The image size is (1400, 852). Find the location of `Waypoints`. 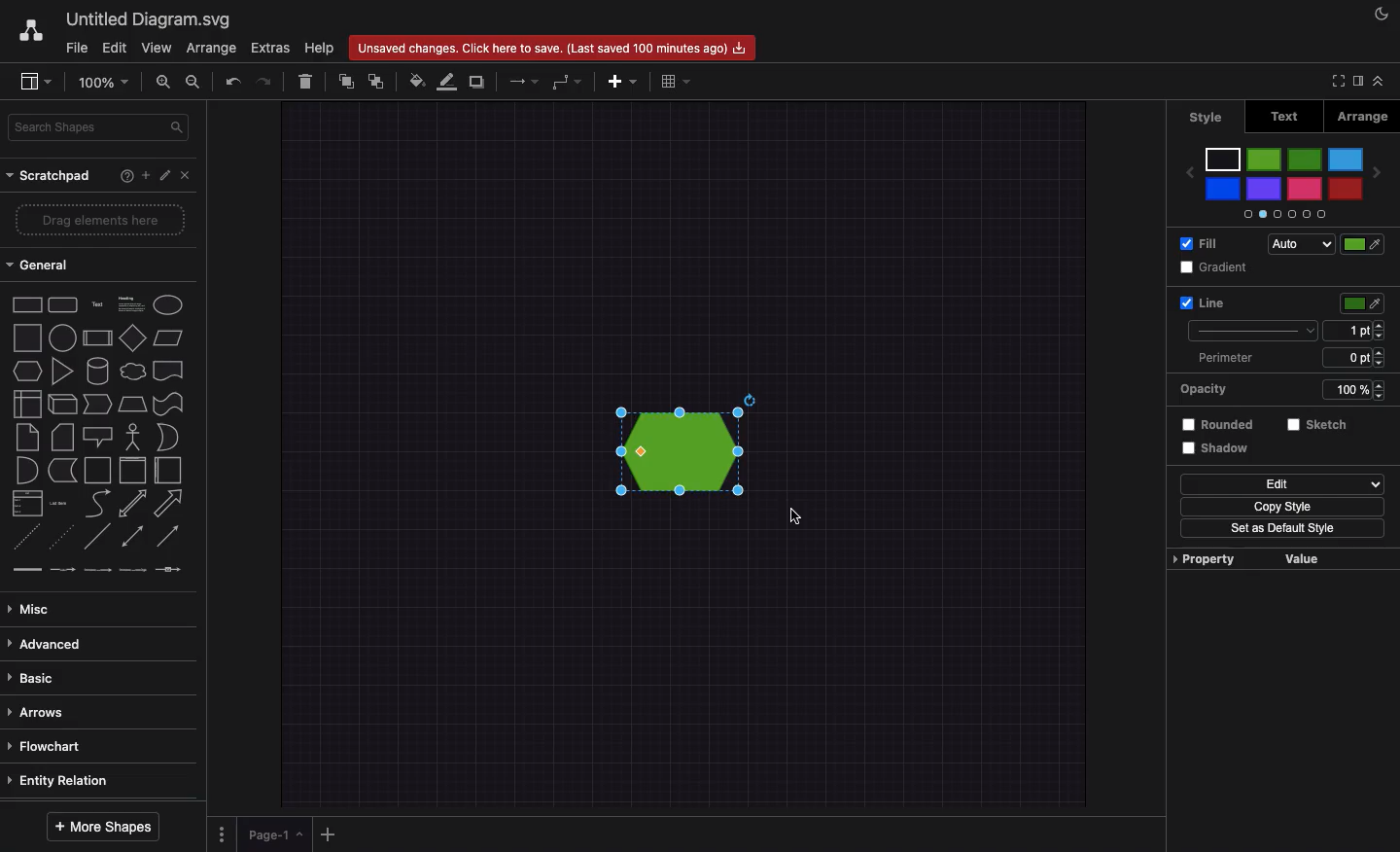

Waypoints is located at coordinates (569, 82).